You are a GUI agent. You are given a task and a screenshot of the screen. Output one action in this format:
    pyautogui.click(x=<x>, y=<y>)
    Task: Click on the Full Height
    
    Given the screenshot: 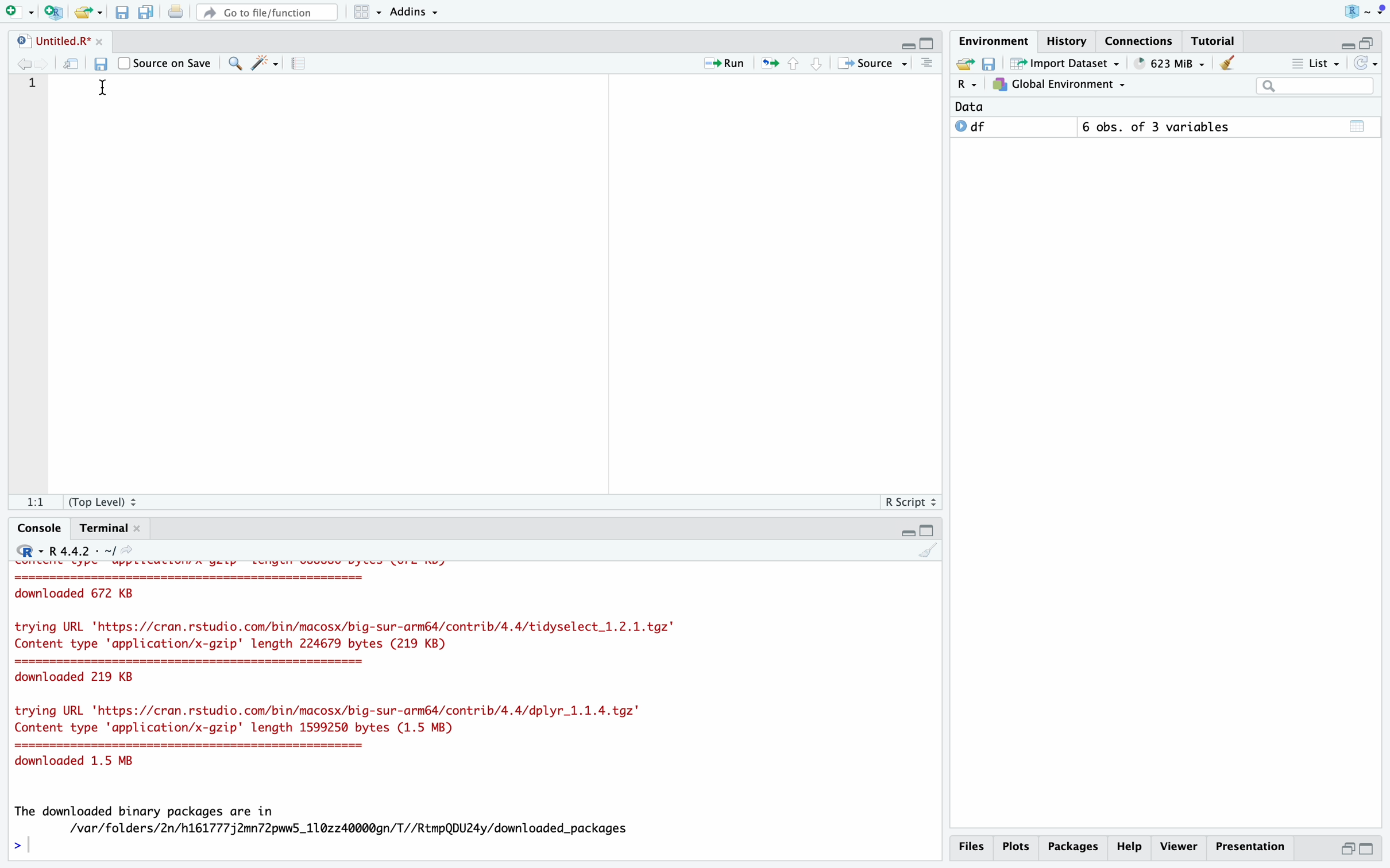 What is the action you would take?
    pyautogui.click(x=929, y=530)
    